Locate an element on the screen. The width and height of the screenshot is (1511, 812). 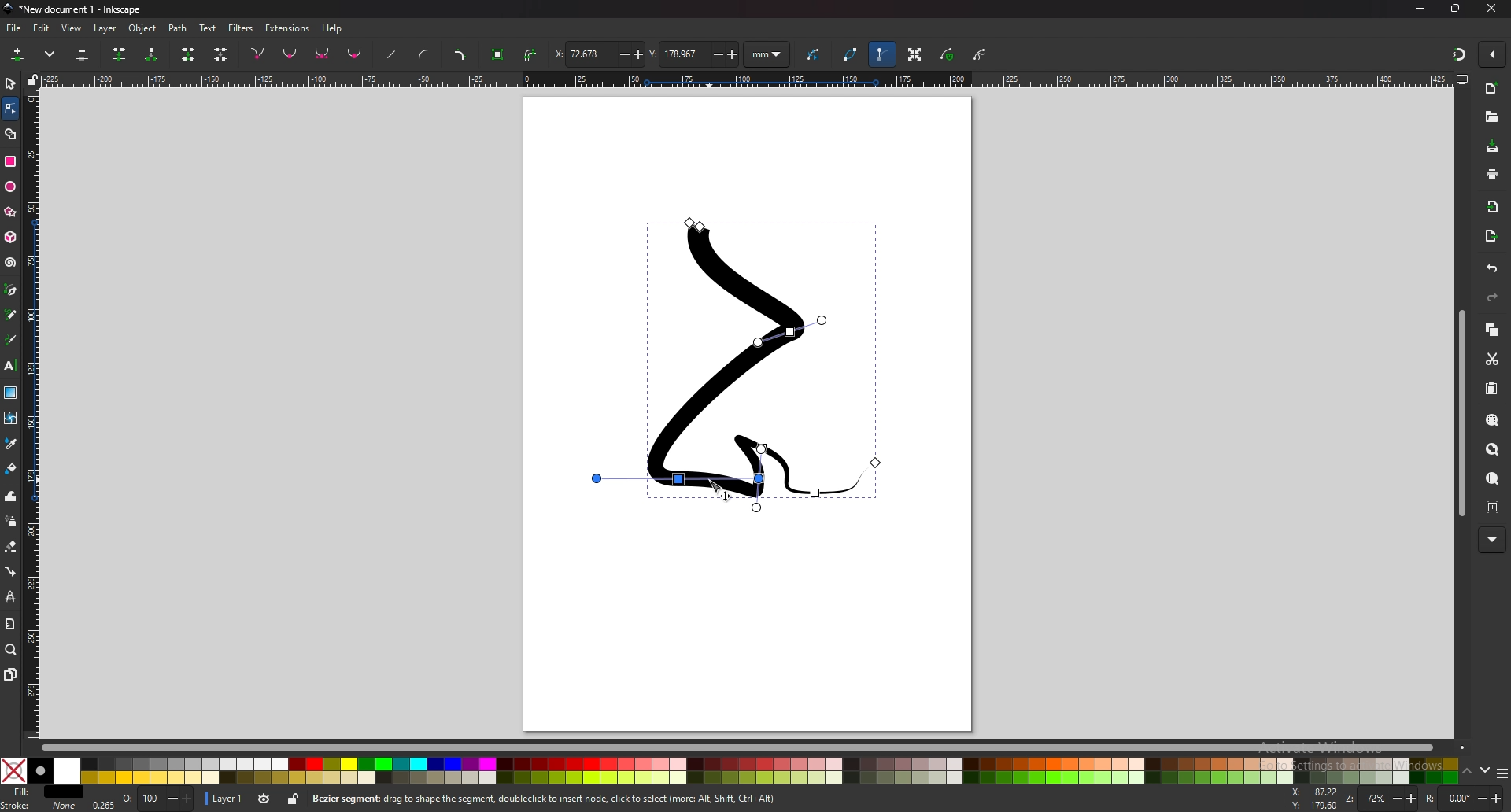
pen is located at coordinates (12, 289).